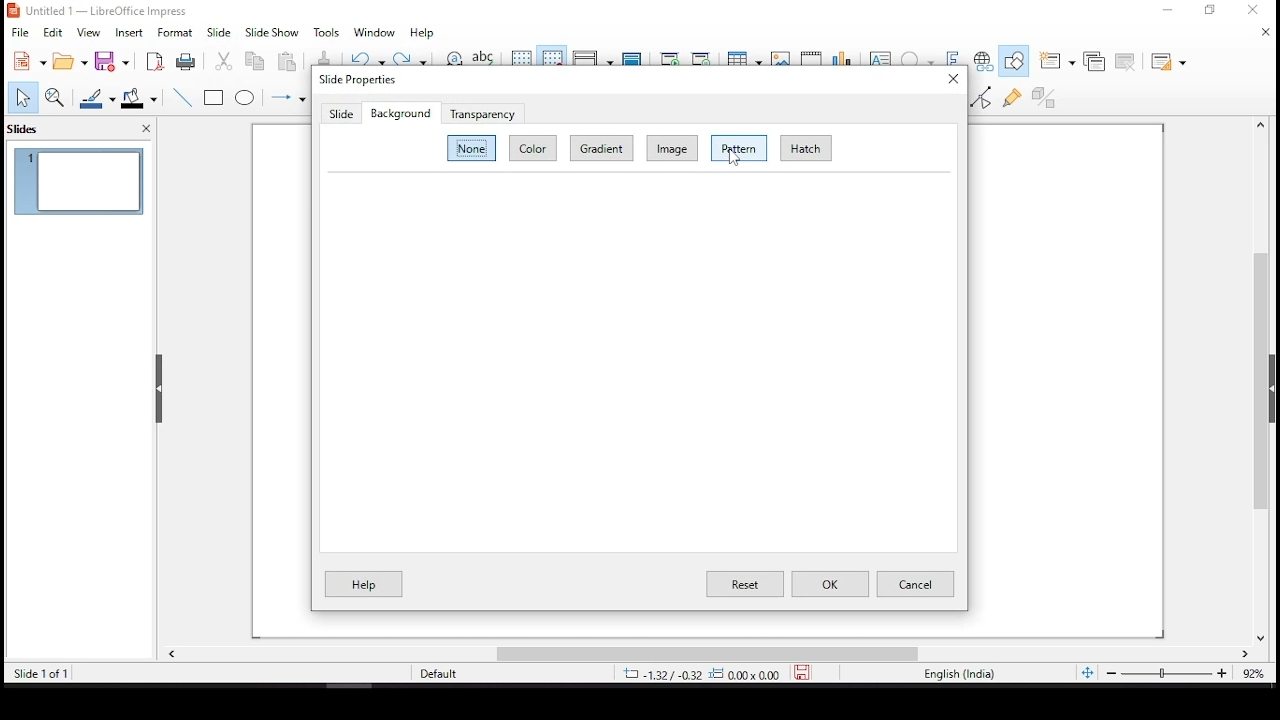  I want to click on slides, so click(27, 130).